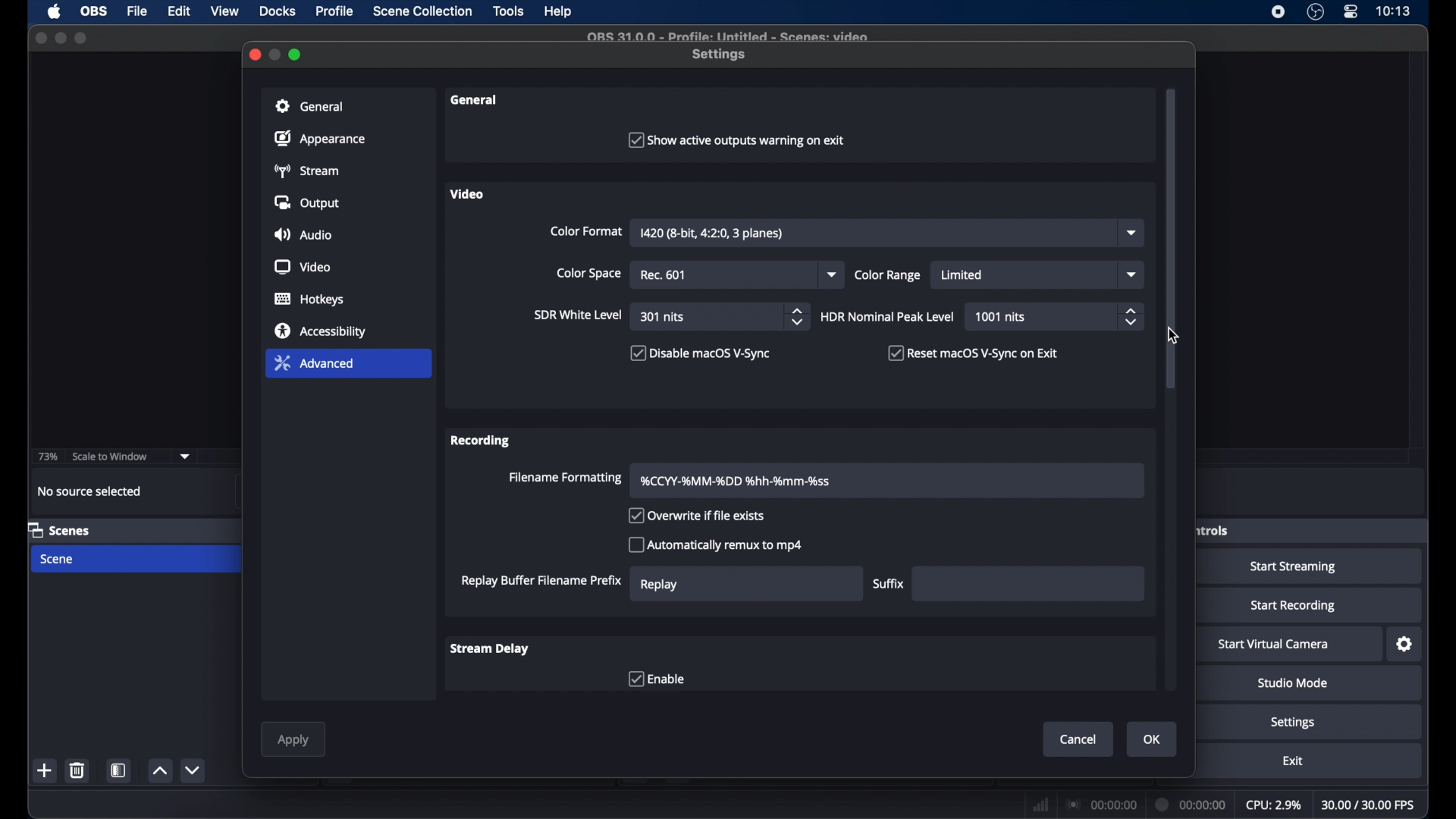 Image resolution: width=1456 pixels, height=819 pixels. What do you see at coordinates (660, 585) in the screenshot?
I see `replay` at bounding box center [660, 585].